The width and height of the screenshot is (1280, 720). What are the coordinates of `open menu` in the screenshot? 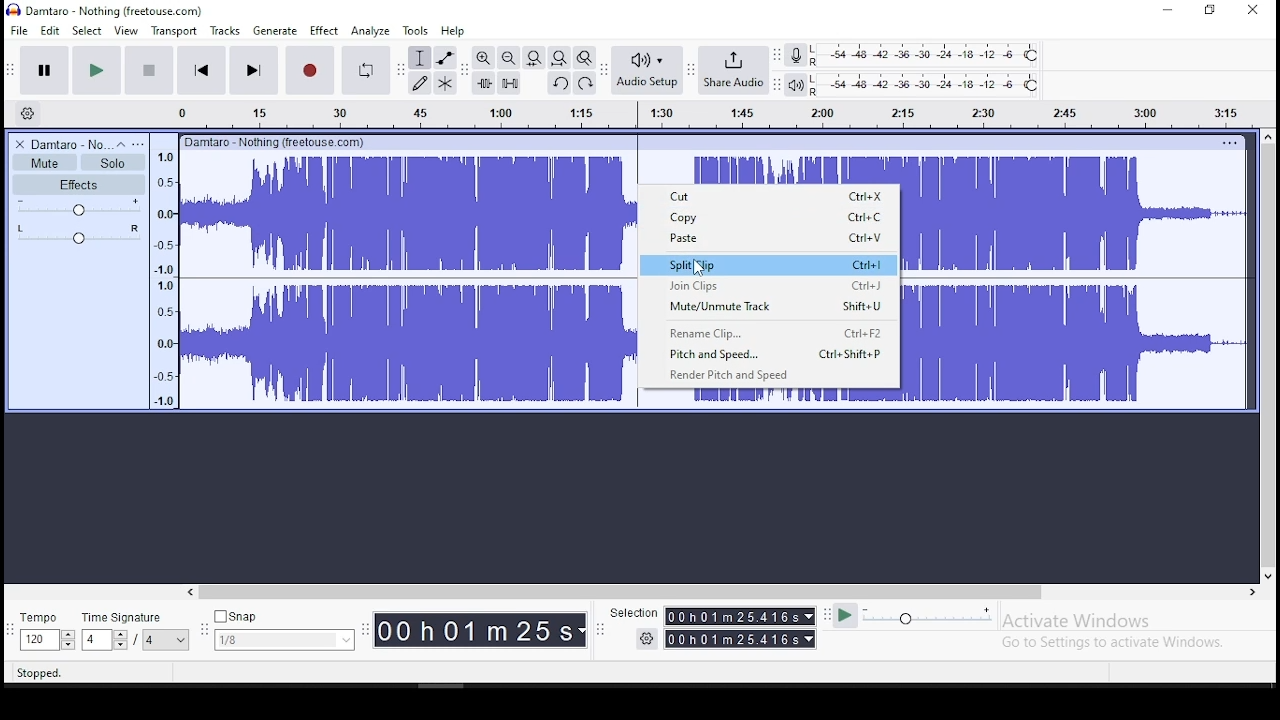 It's located at (138, 143).